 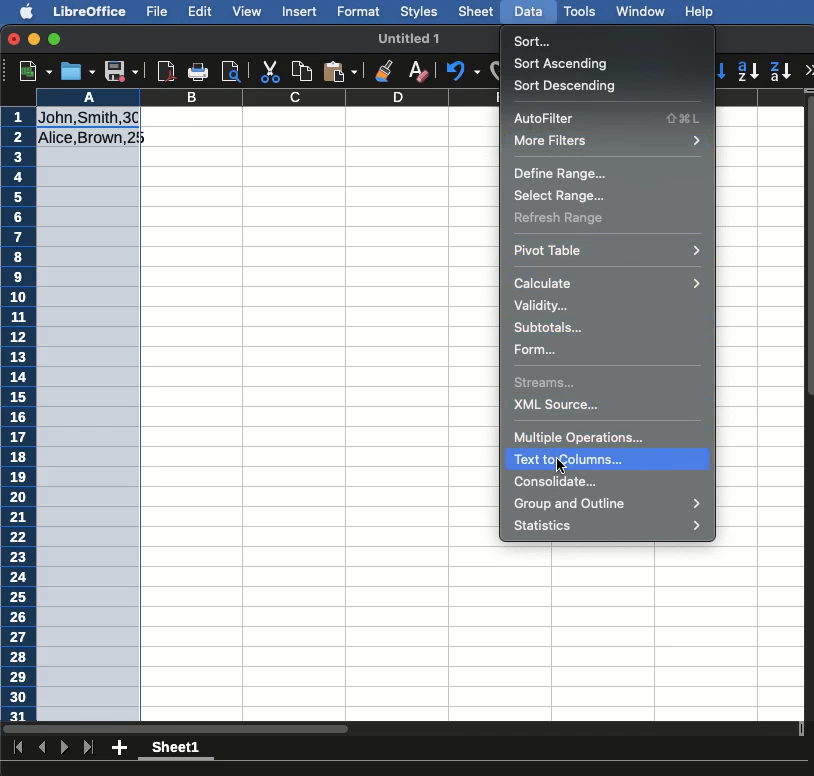 I want to click on Name, so click(x=413, y=40).